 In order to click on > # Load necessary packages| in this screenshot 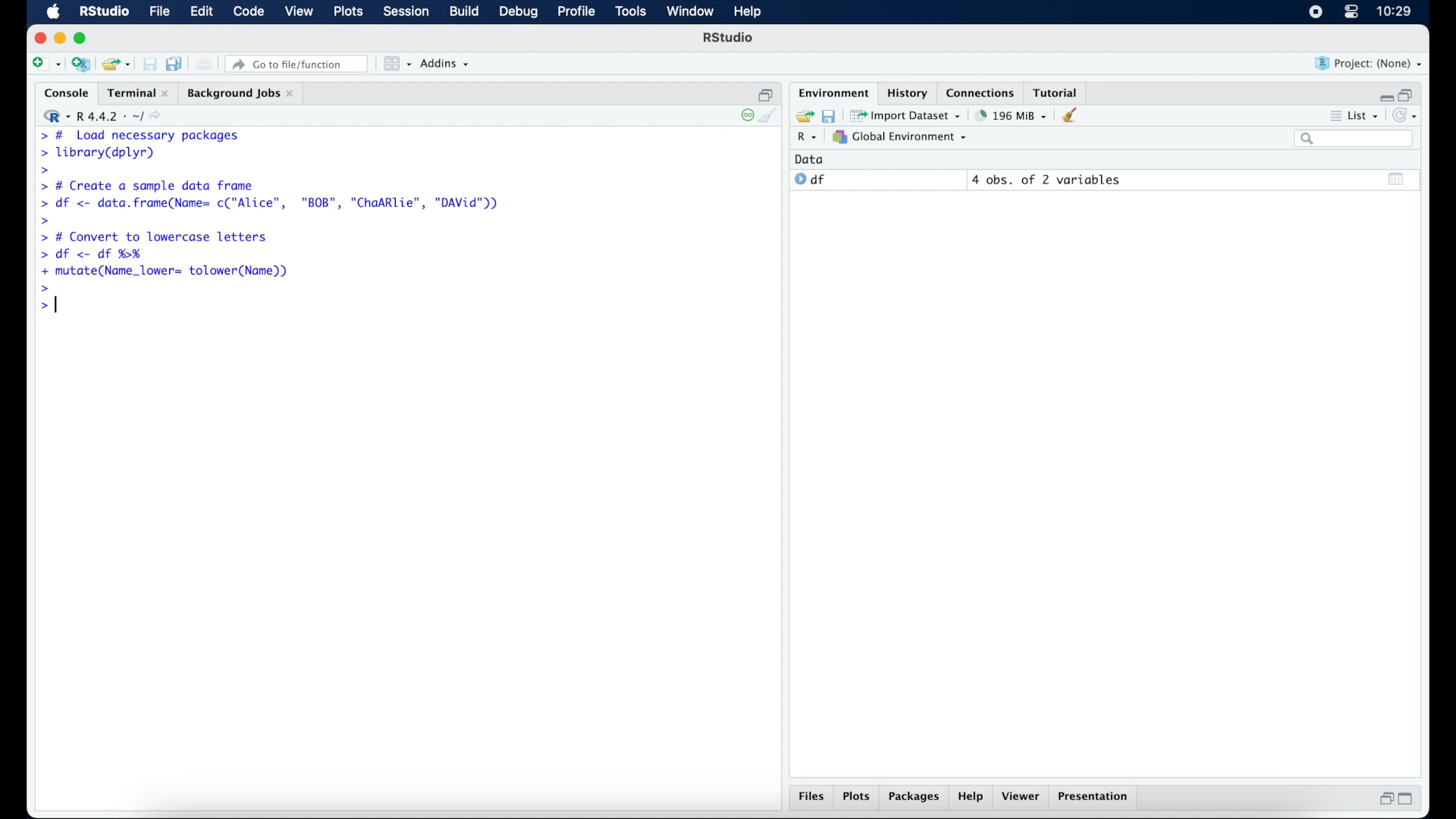, I will do `click(138, 134)`.